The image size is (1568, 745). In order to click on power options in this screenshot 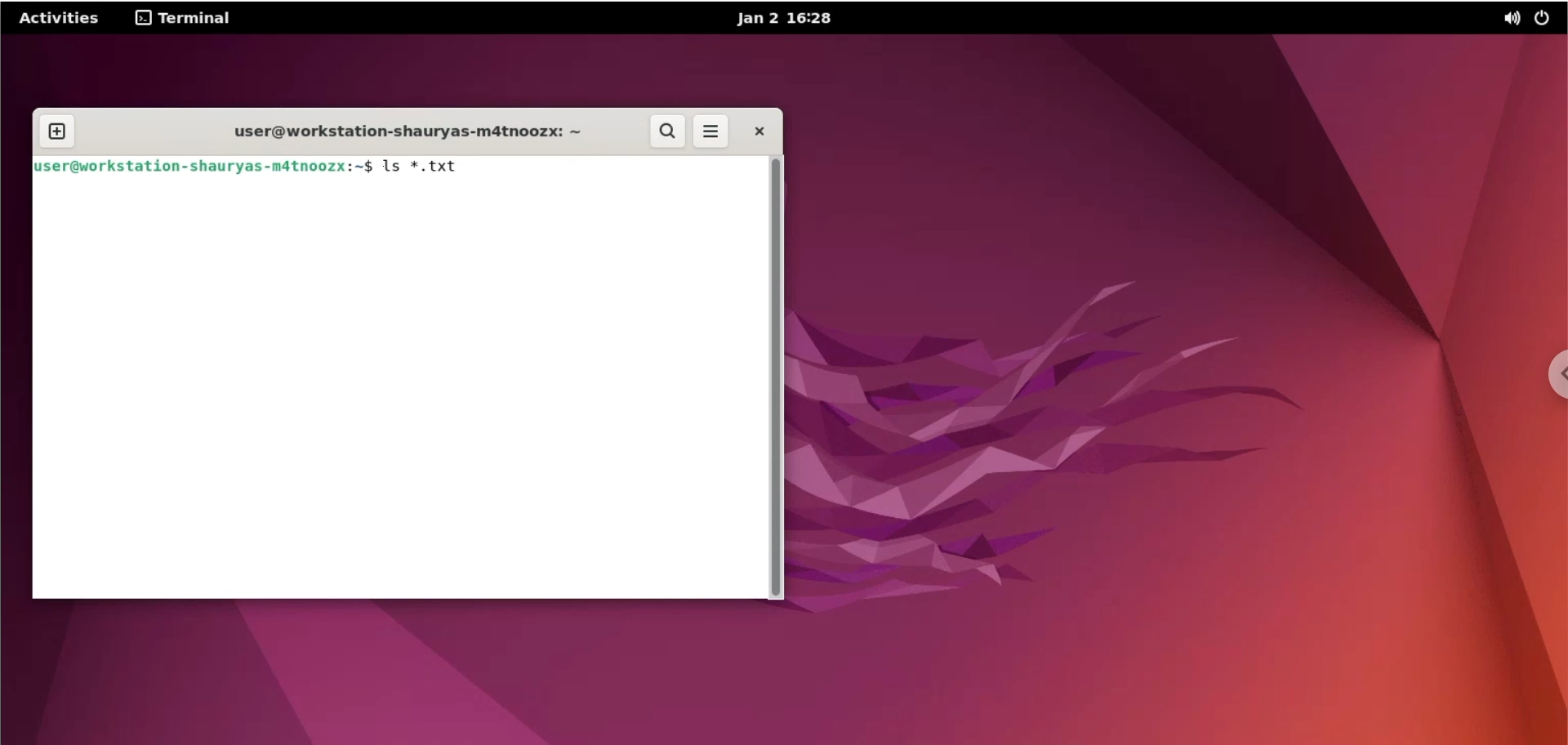, I will do `click(1546, 19)`.